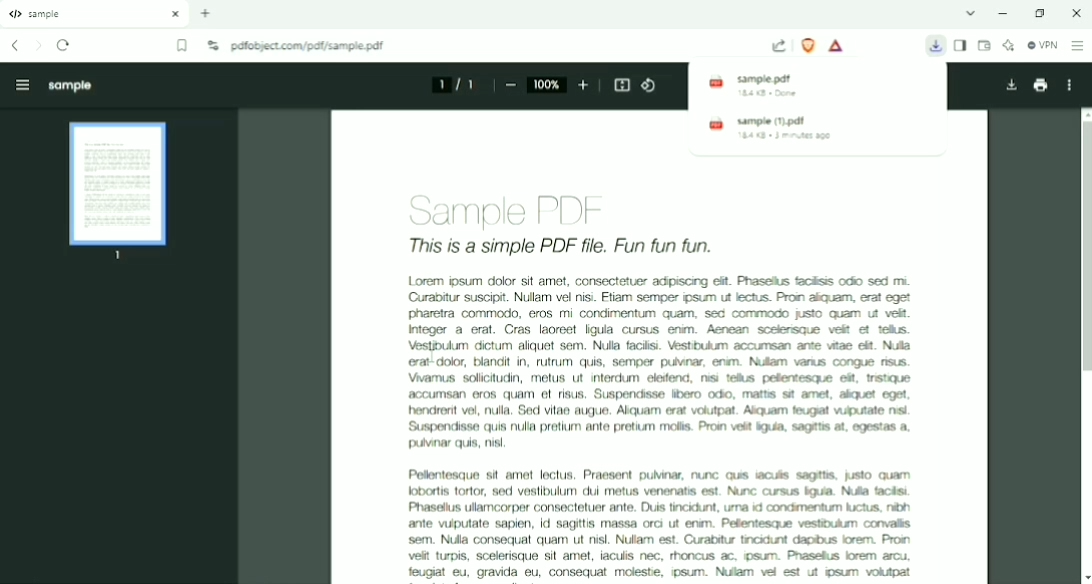 Image resolution: width=1092 pixels, height=584 pixels. I want to click on Fit to page, so click(623, 85).